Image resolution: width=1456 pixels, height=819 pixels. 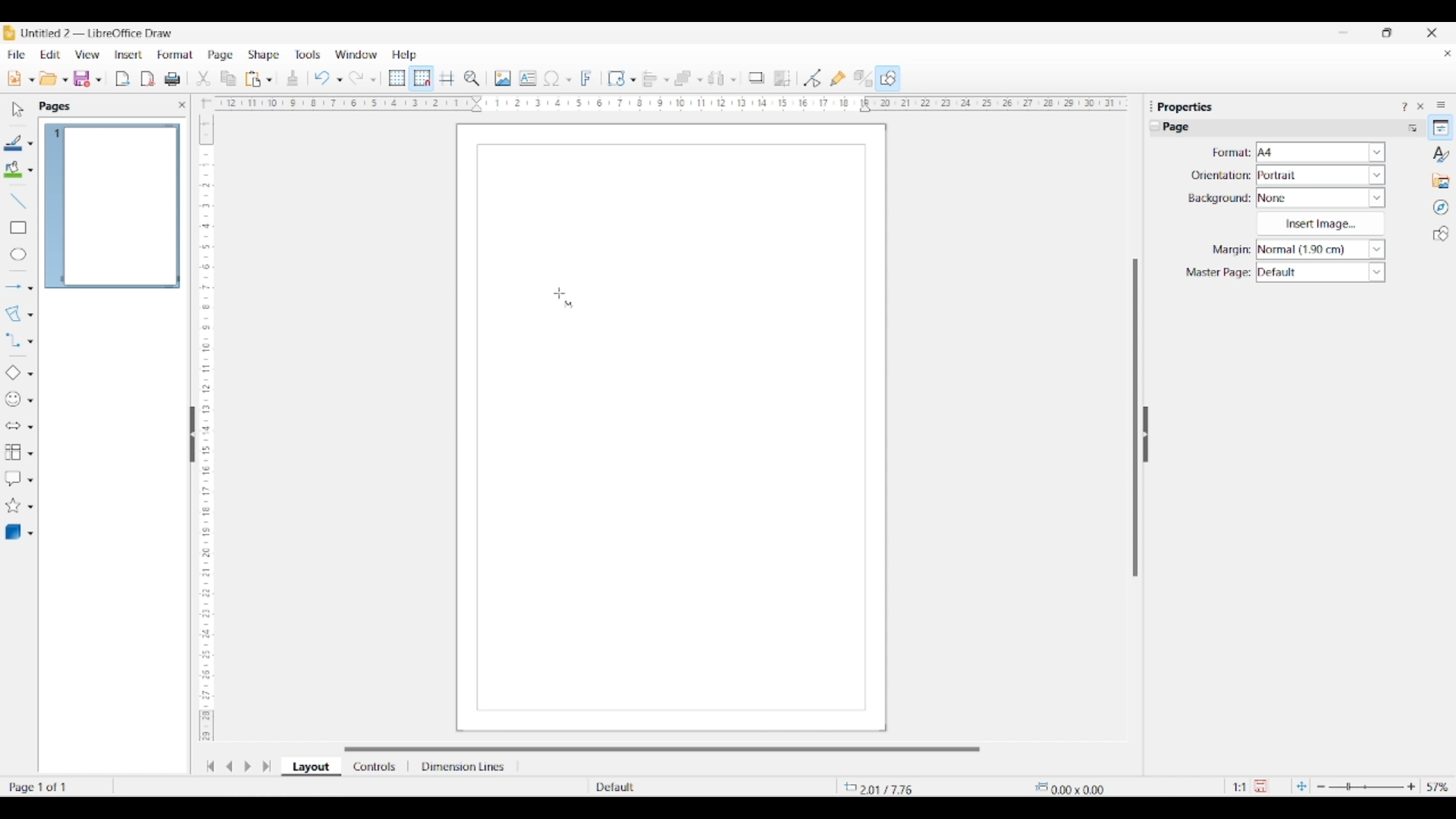 What do you see at coordinates (472, 79) in the screenshot?
I see `Zoom and pan` at bounding box center [472, 79].